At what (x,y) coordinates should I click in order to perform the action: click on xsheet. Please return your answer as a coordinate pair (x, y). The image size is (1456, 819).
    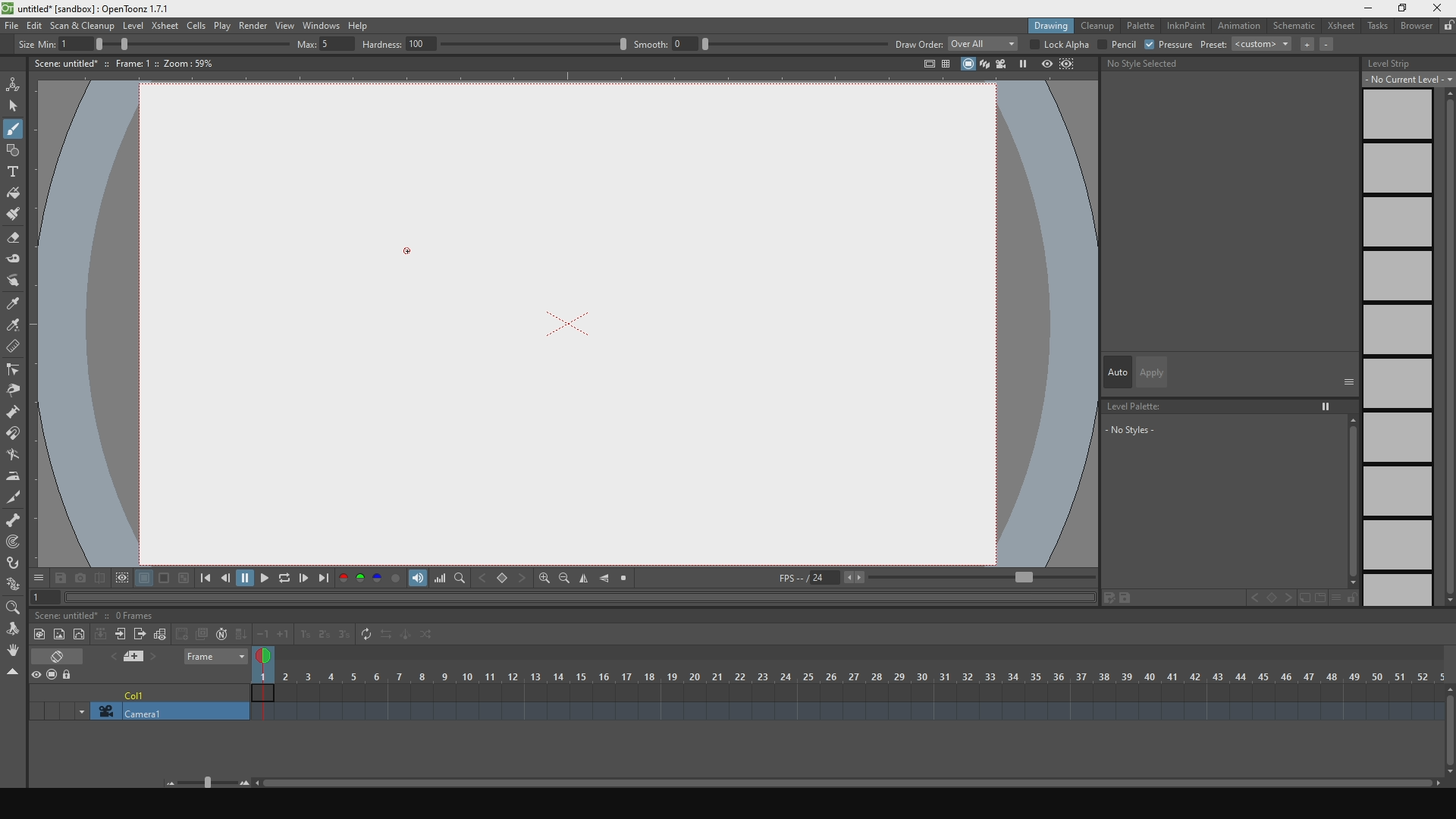
    Looking at the image, I should click on (165, 25).